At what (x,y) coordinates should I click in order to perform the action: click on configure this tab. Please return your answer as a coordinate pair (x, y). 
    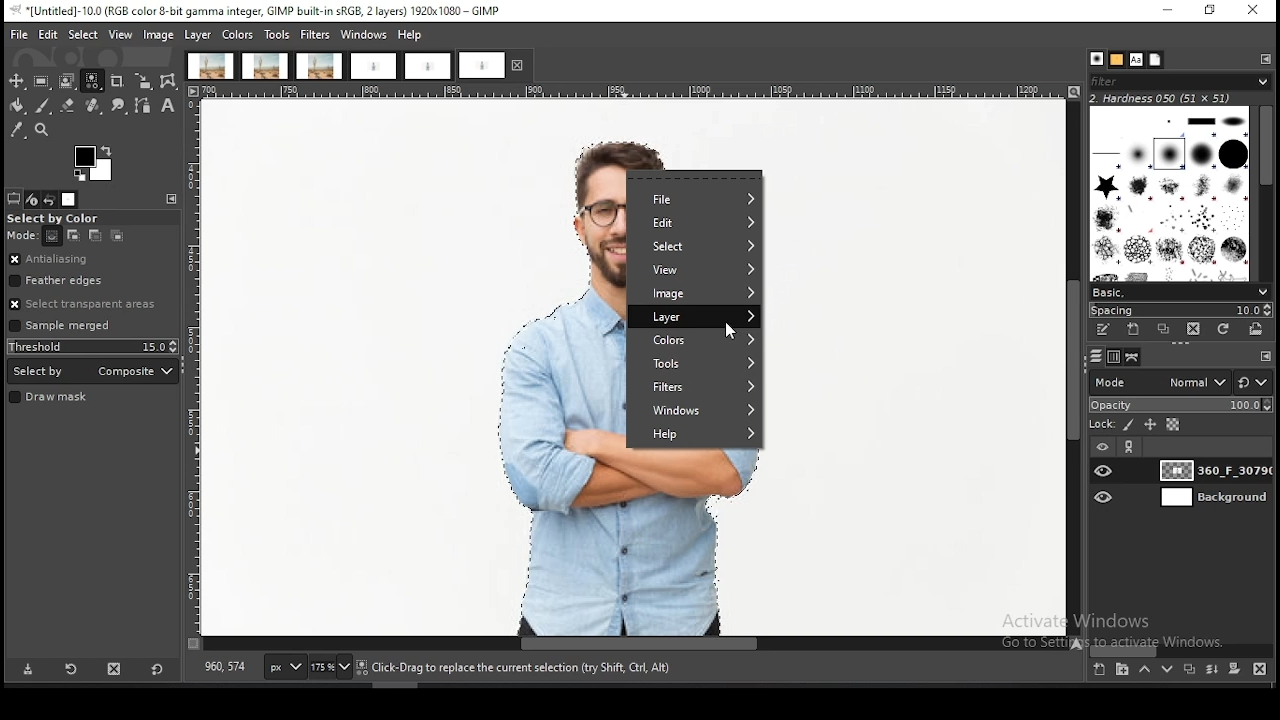
    Looking at the image, I should click on (1265, 356).